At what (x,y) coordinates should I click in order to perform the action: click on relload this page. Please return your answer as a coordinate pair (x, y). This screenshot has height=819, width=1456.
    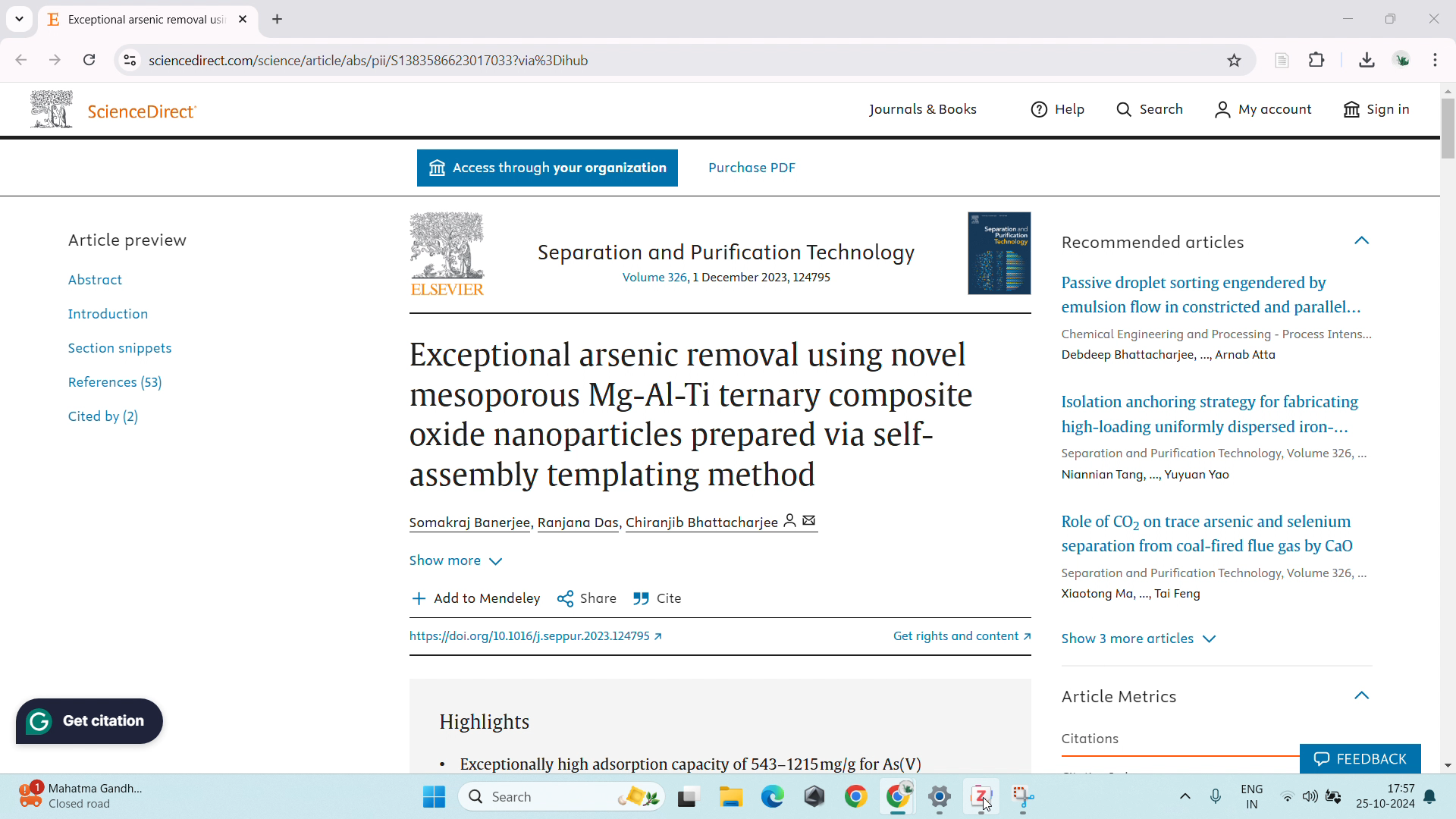
    Looking at the image, I should click on (89, 60).